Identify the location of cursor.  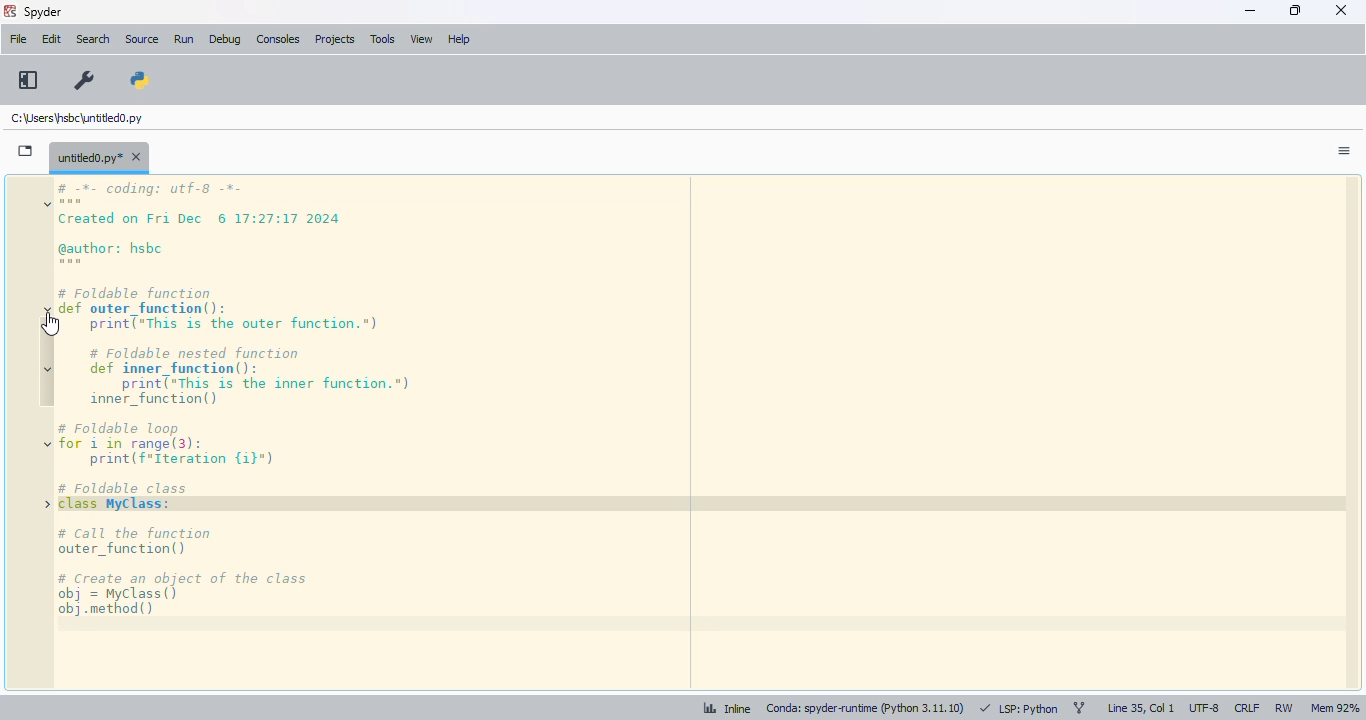
(51, 324).